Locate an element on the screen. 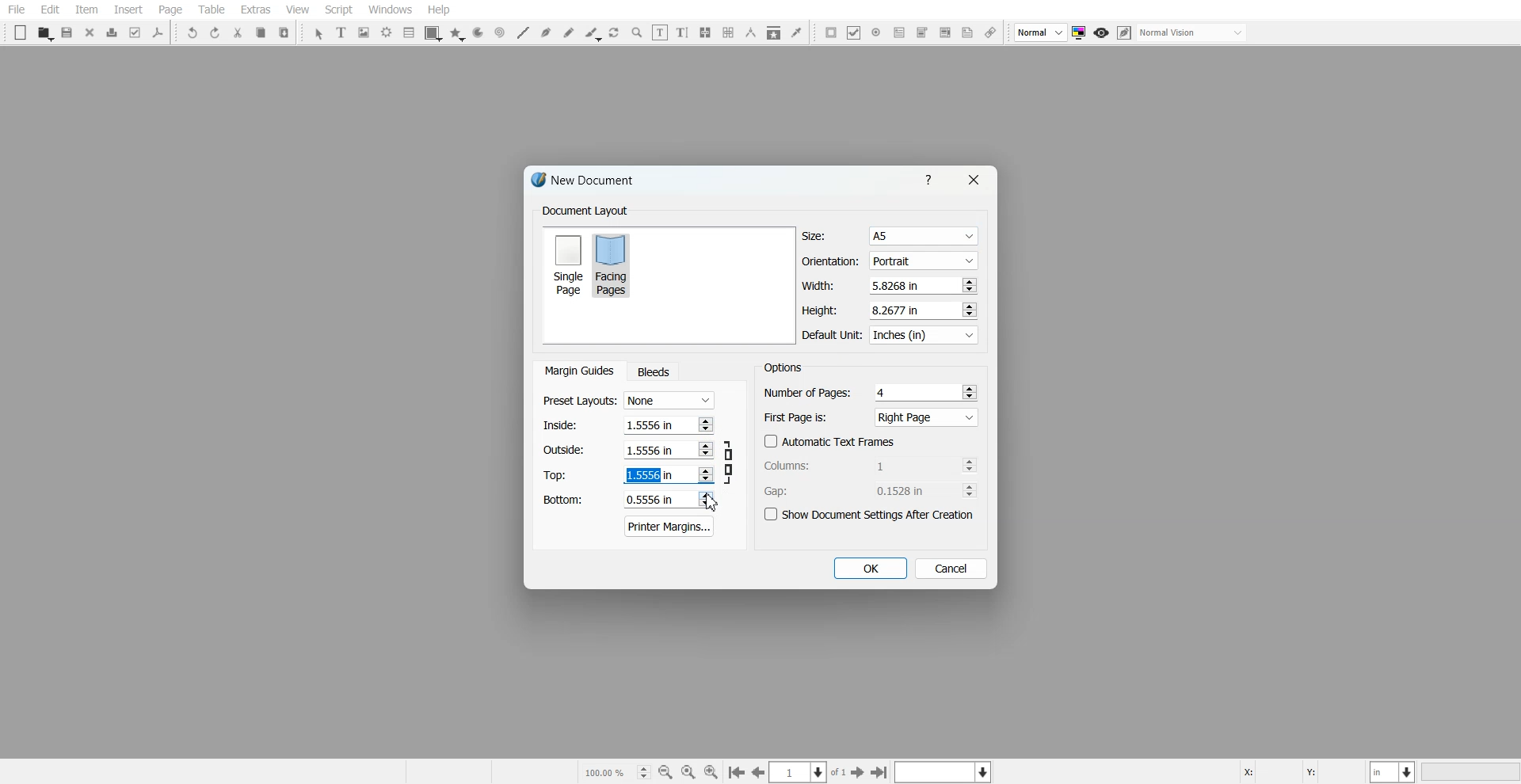 The width and height of the screenshot is (1521, 784). Script is located at coordinates (339, 10).